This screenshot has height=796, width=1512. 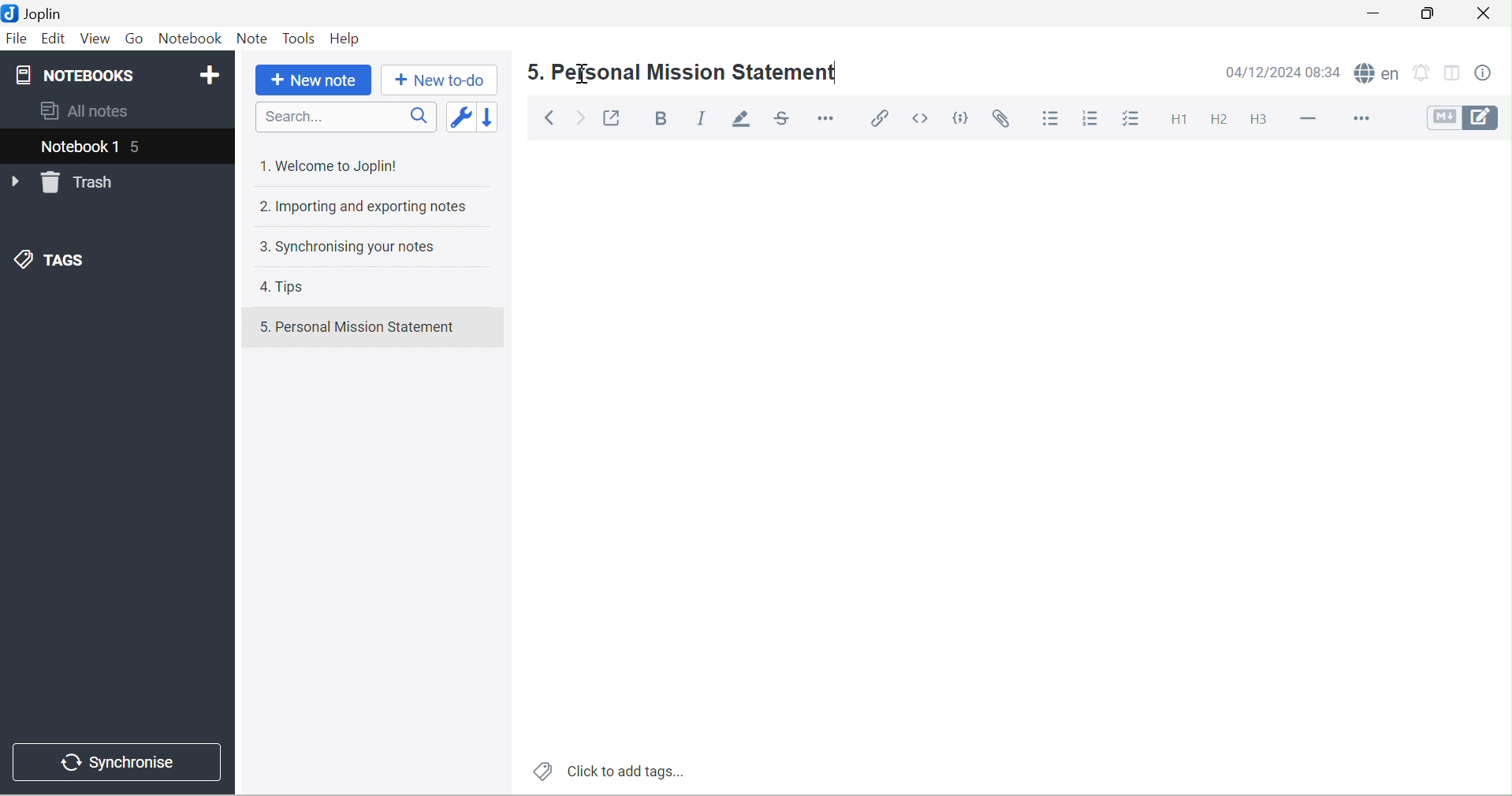 What do you see at coordinates (191, 38) in the screenshot?
I see `Notebook` at bounding box center [191, 38].